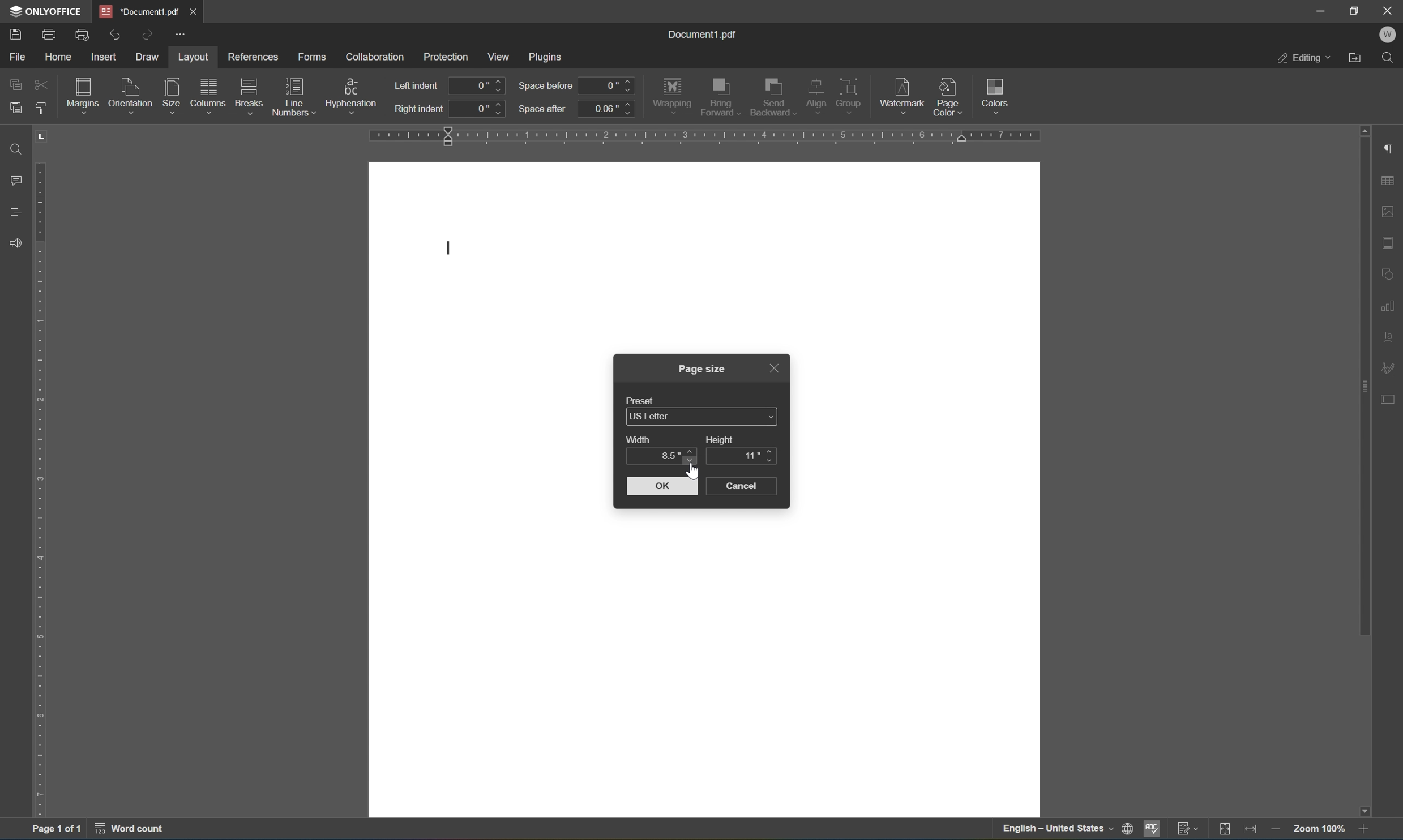 Image resolution: width=1403 pixels, height=840 pixels. Describe the element at coordinates (353, 93) in the screenshot. I see `hypernation` at that location.